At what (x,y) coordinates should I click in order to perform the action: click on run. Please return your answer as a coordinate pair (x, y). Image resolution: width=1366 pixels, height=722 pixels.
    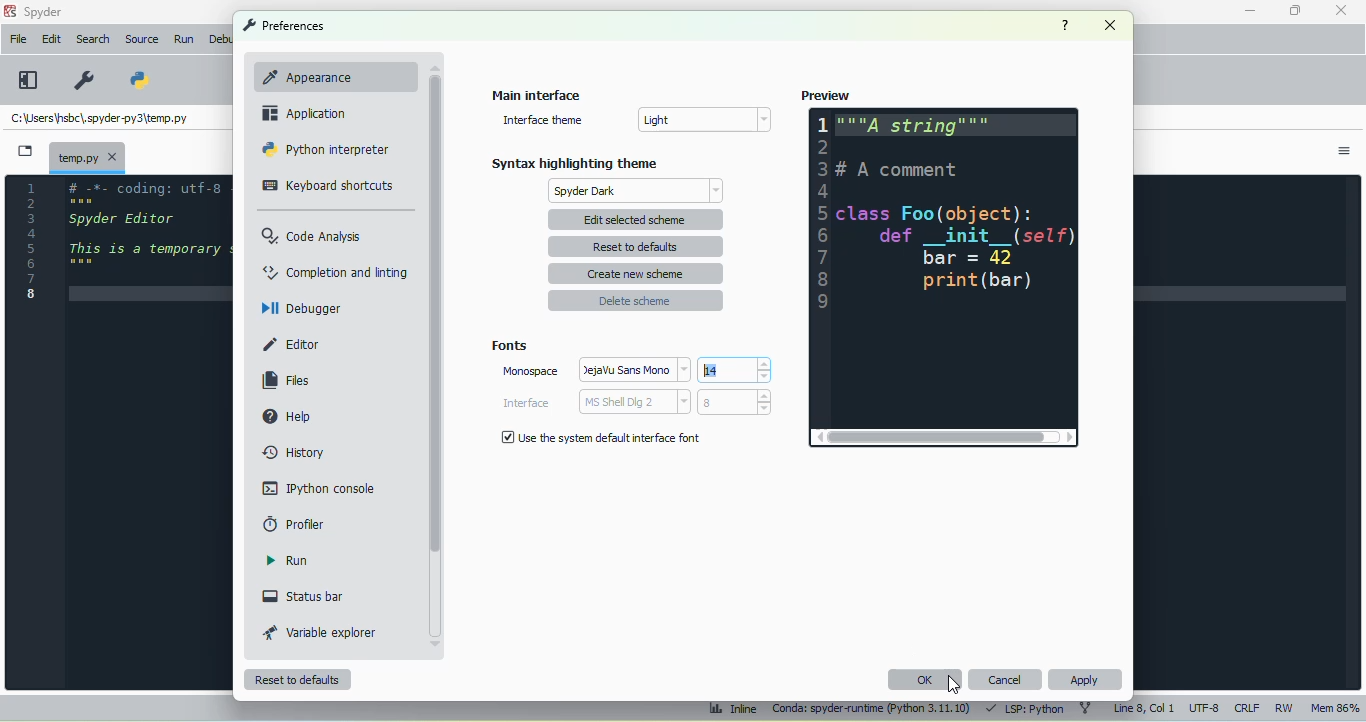
    Looking at the image, I should click on (186, 40).